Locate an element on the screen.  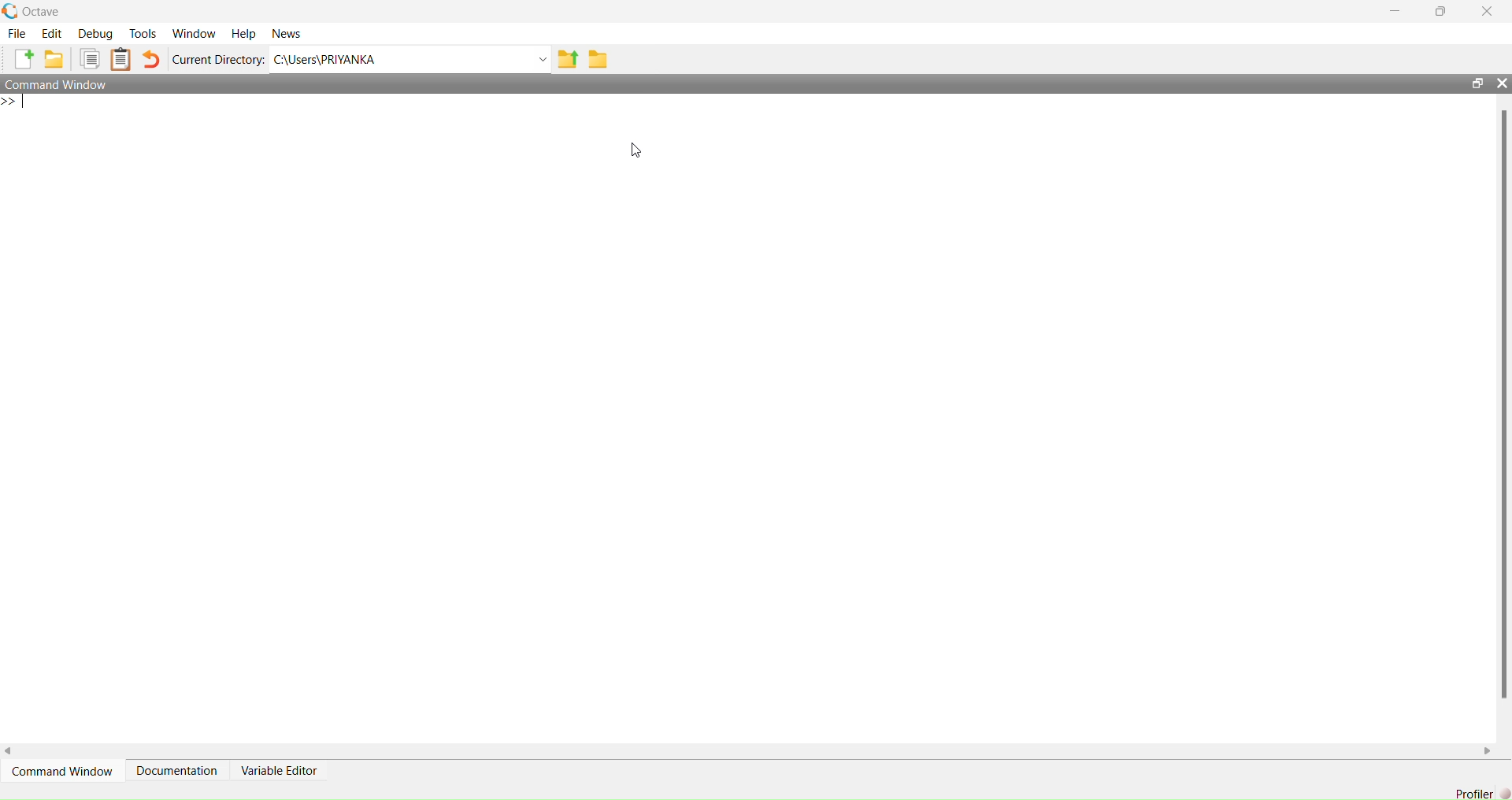
close is located at coordinates (1488, 11).